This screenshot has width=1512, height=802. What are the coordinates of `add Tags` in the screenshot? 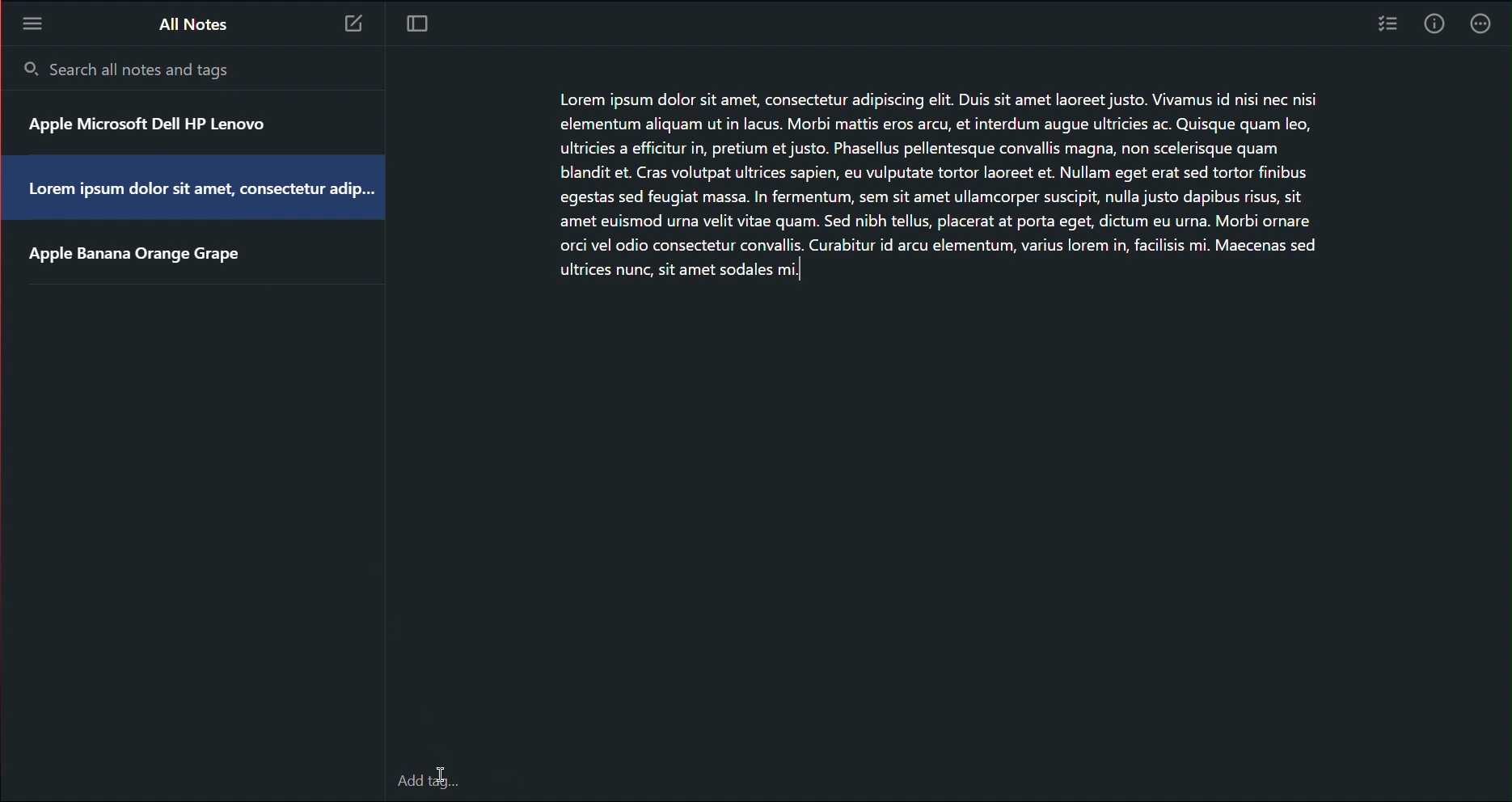 It's located at (452, 773).